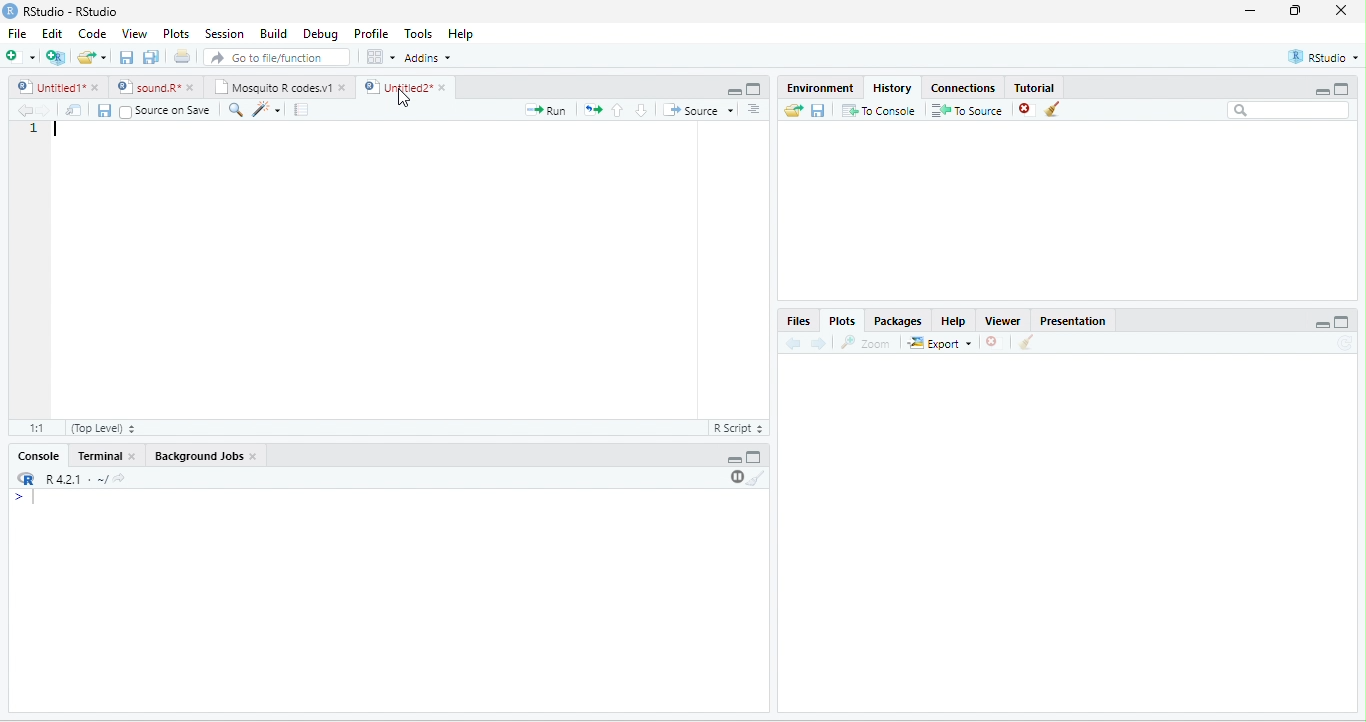  I want to click on maximize, so click(754, 89).